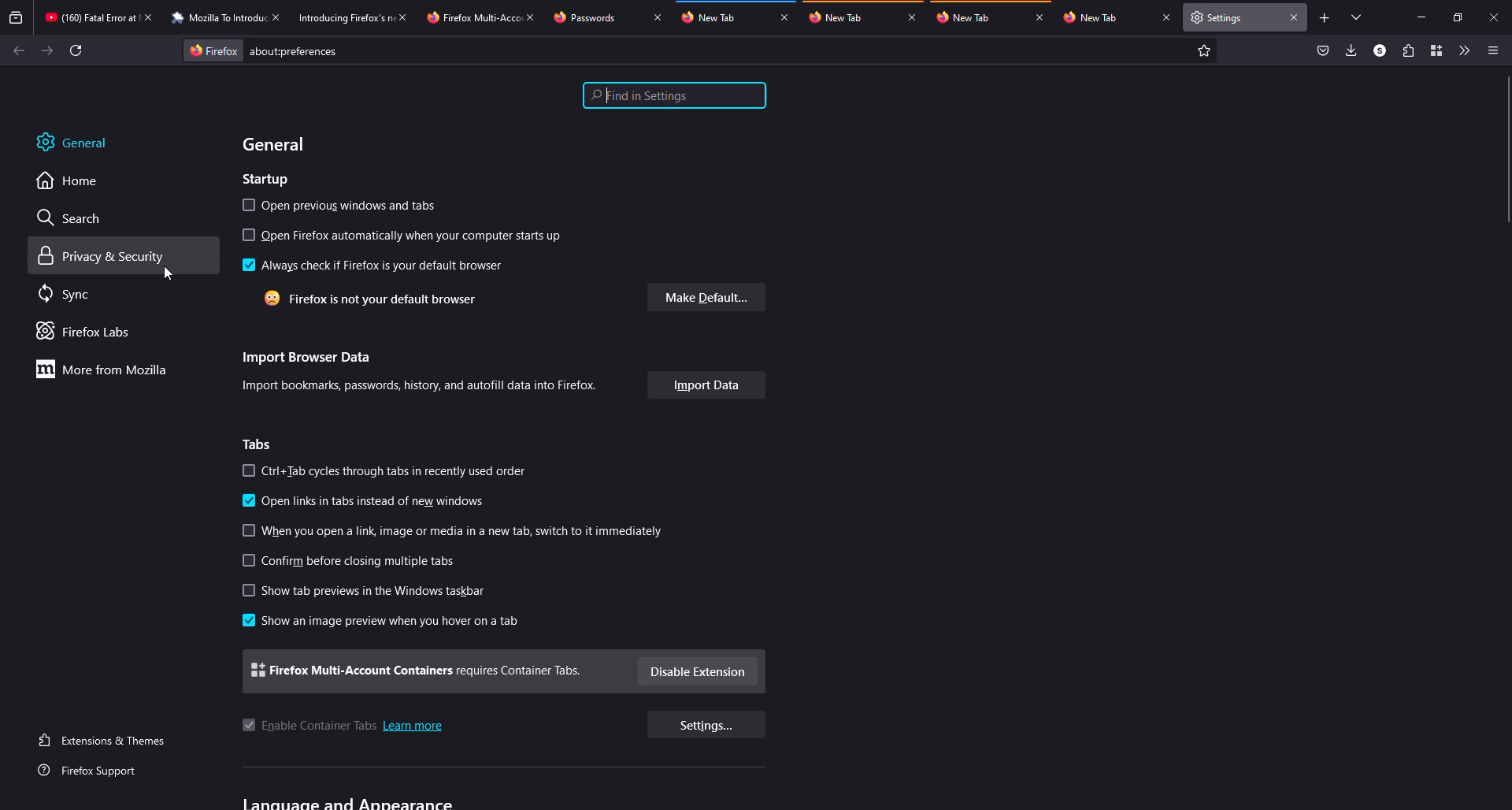 The image size is (1512, 810). What do you see at coordinates (785, 18) in the screenshot?
I see `close` at bounding box center [785, 18].